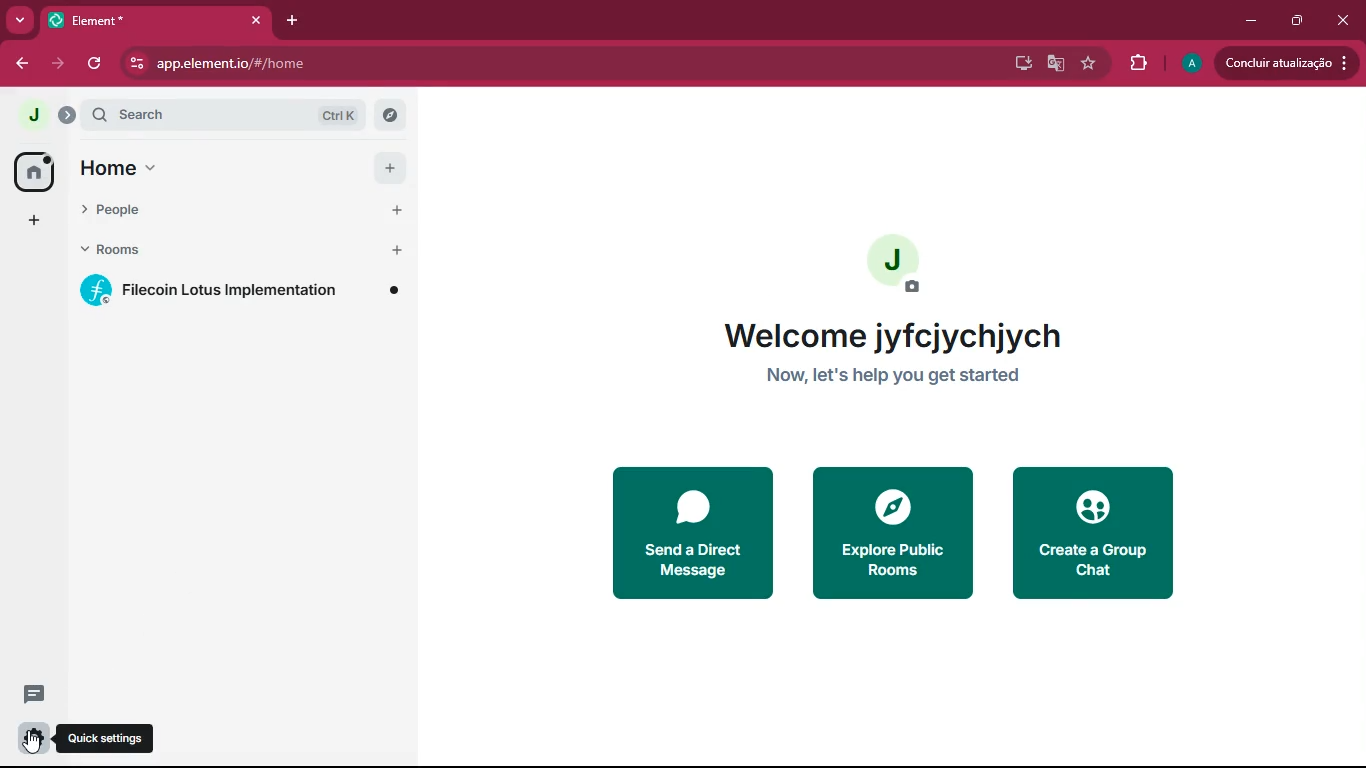 The height and width of the screenshot is (768, 1366). I want to click on send a direct message, so click(688, 530).